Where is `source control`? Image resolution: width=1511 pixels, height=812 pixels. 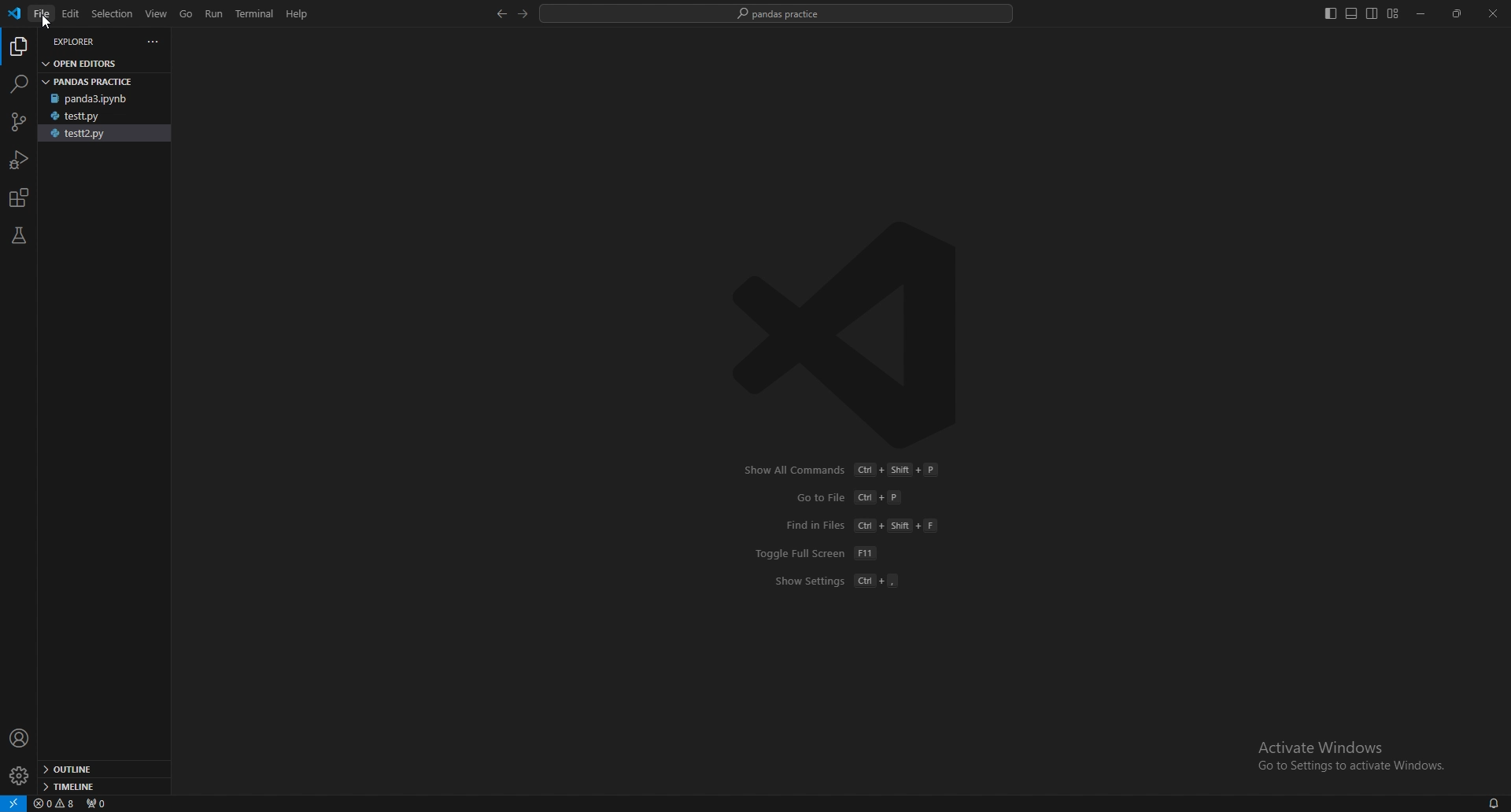 source control is located at coordinates (17, 122).